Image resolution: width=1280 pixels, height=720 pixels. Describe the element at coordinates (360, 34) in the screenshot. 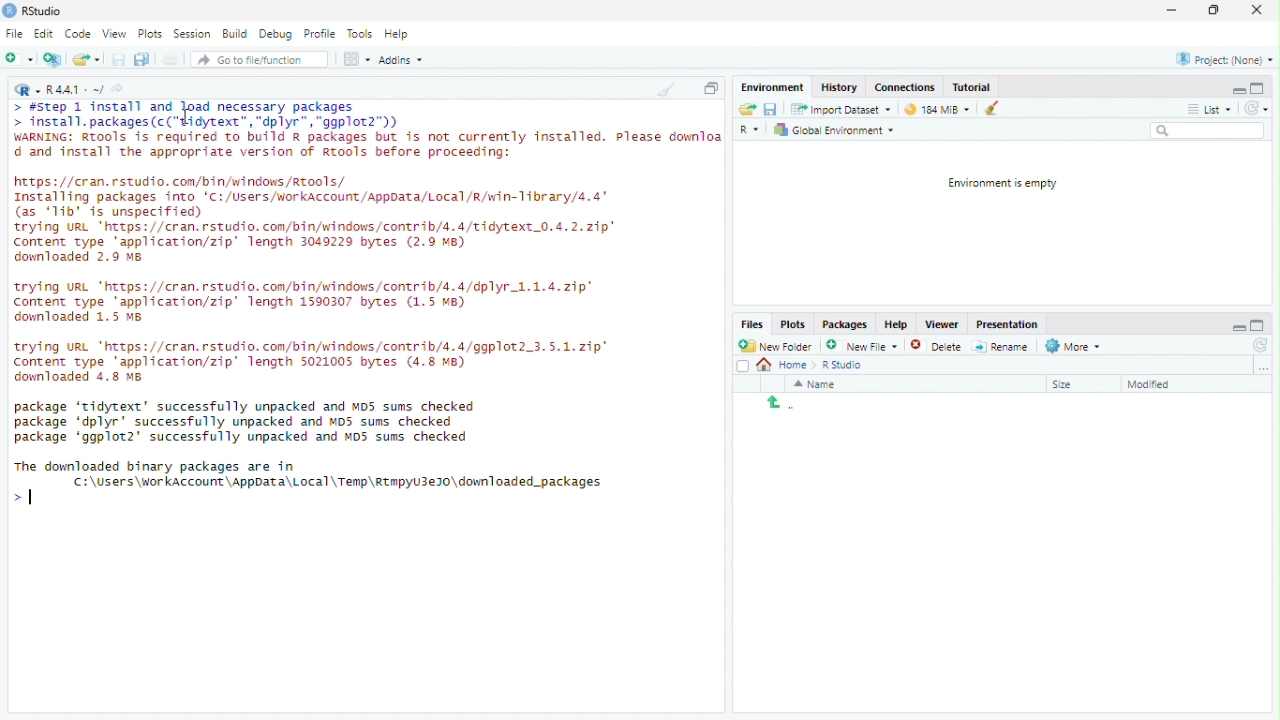

I see `Tools` at that location.